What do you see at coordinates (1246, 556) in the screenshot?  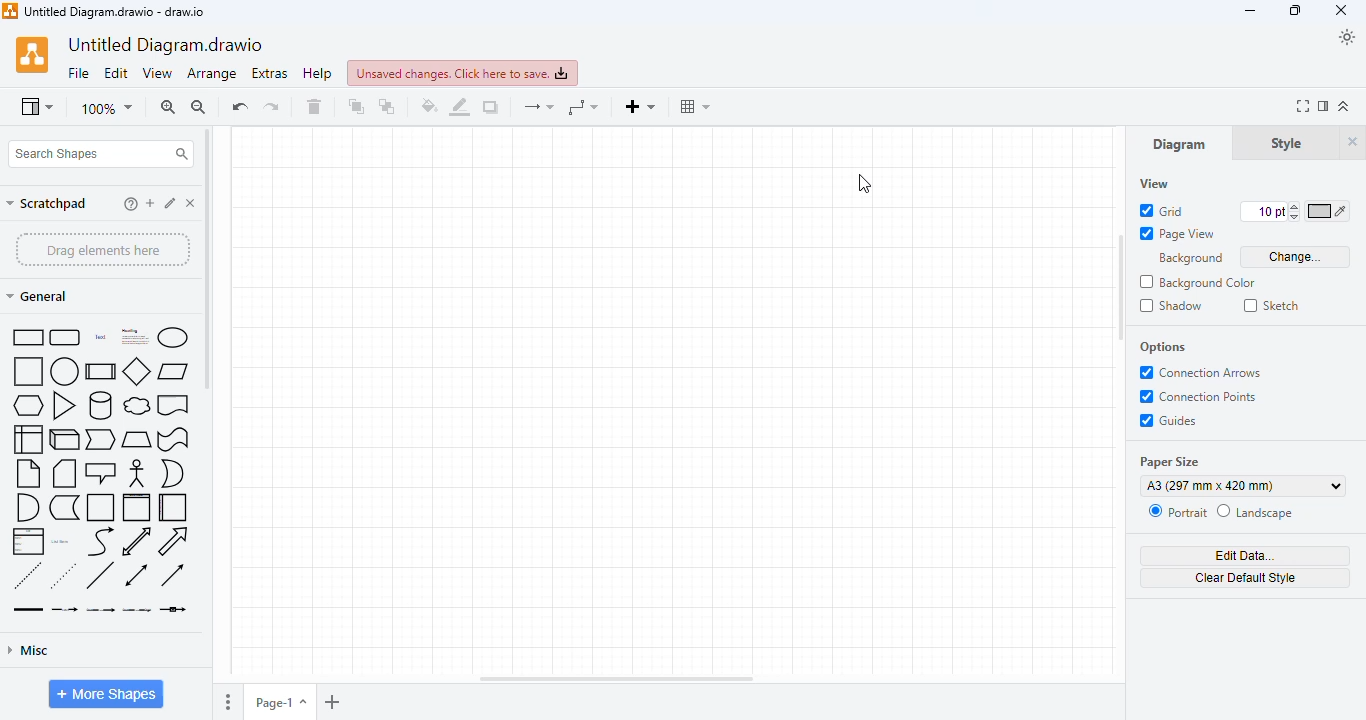 I see `edit data` at bounding box center [1246, 556].